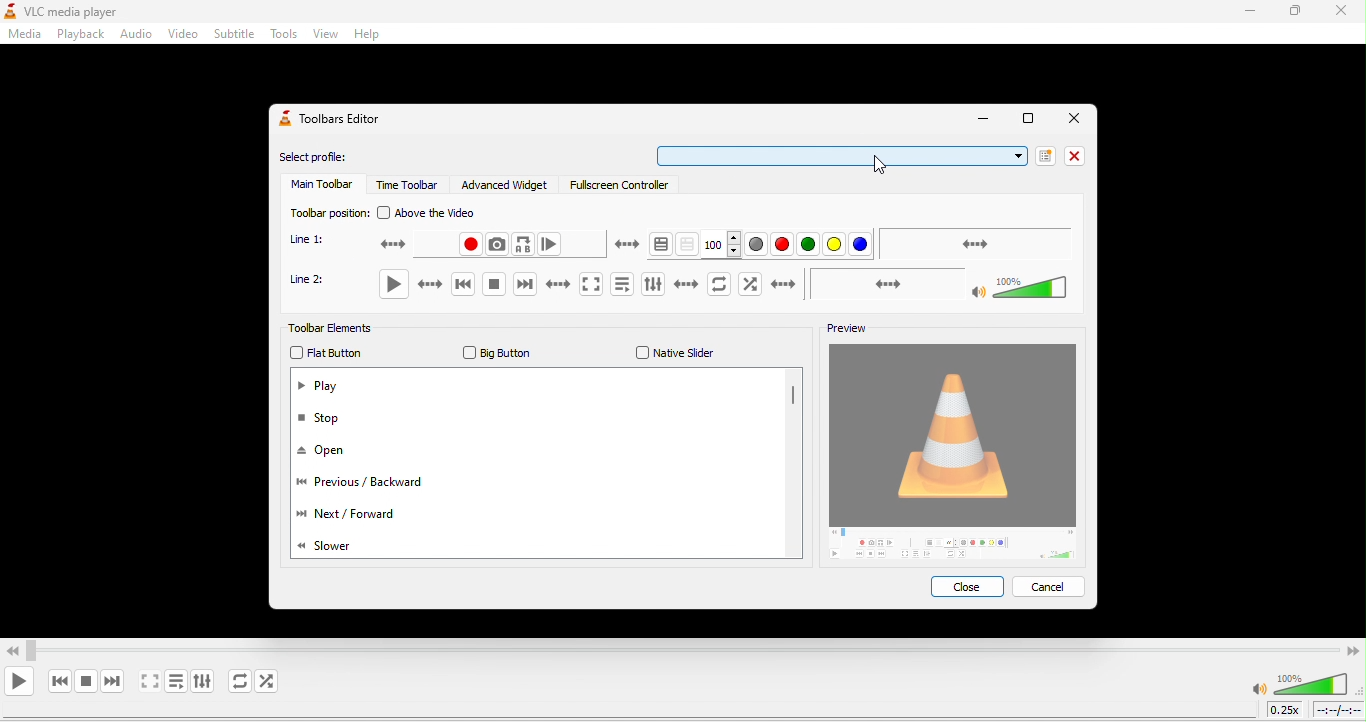  Describe the element at coordinates (525, 244) in the screenshot. I see `loop from point a to point b` at that location.